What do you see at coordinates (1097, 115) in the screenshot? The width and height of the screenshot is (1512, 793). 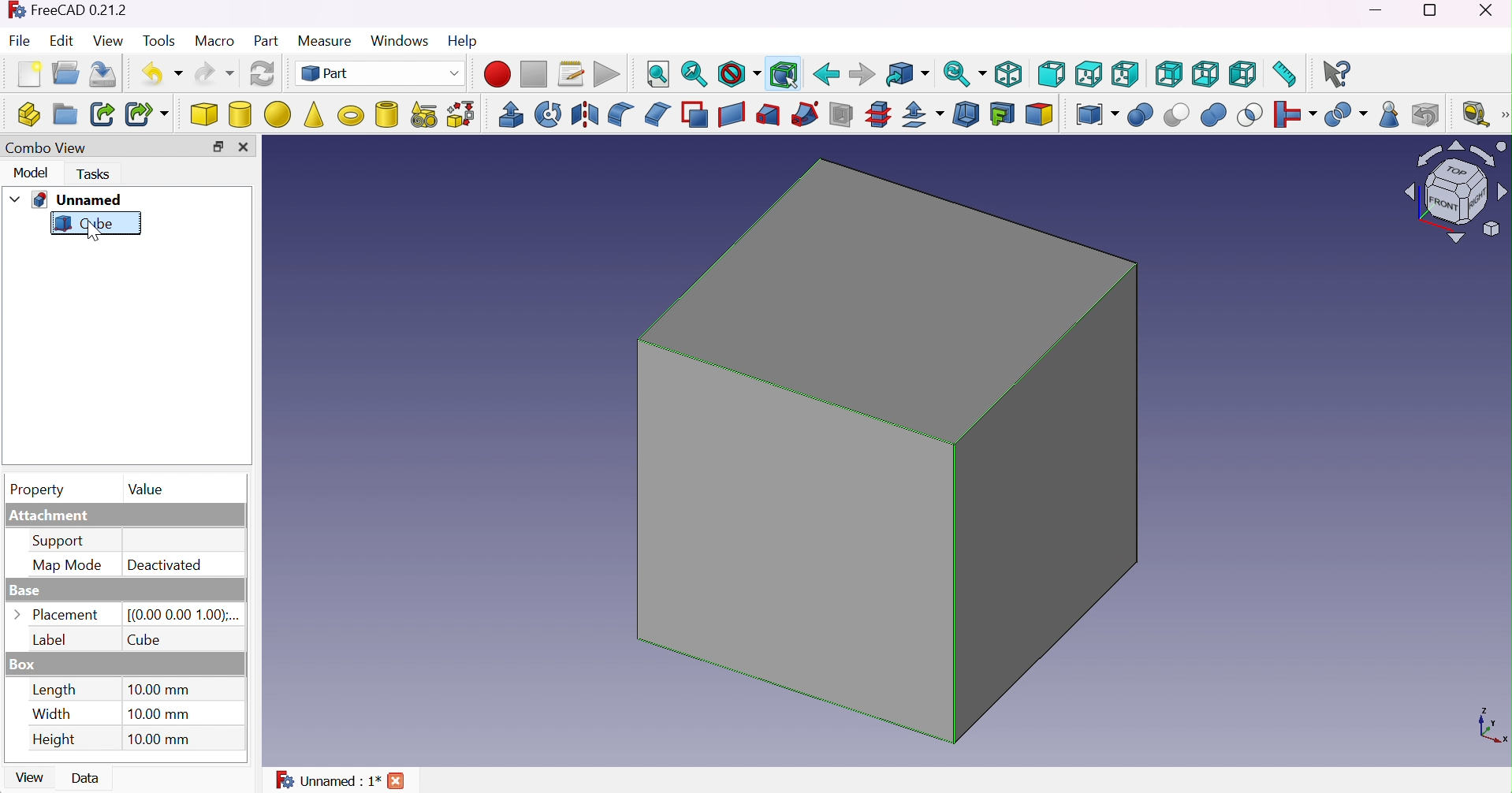 I see `Compound tools` at bounding box center [1097, 115].